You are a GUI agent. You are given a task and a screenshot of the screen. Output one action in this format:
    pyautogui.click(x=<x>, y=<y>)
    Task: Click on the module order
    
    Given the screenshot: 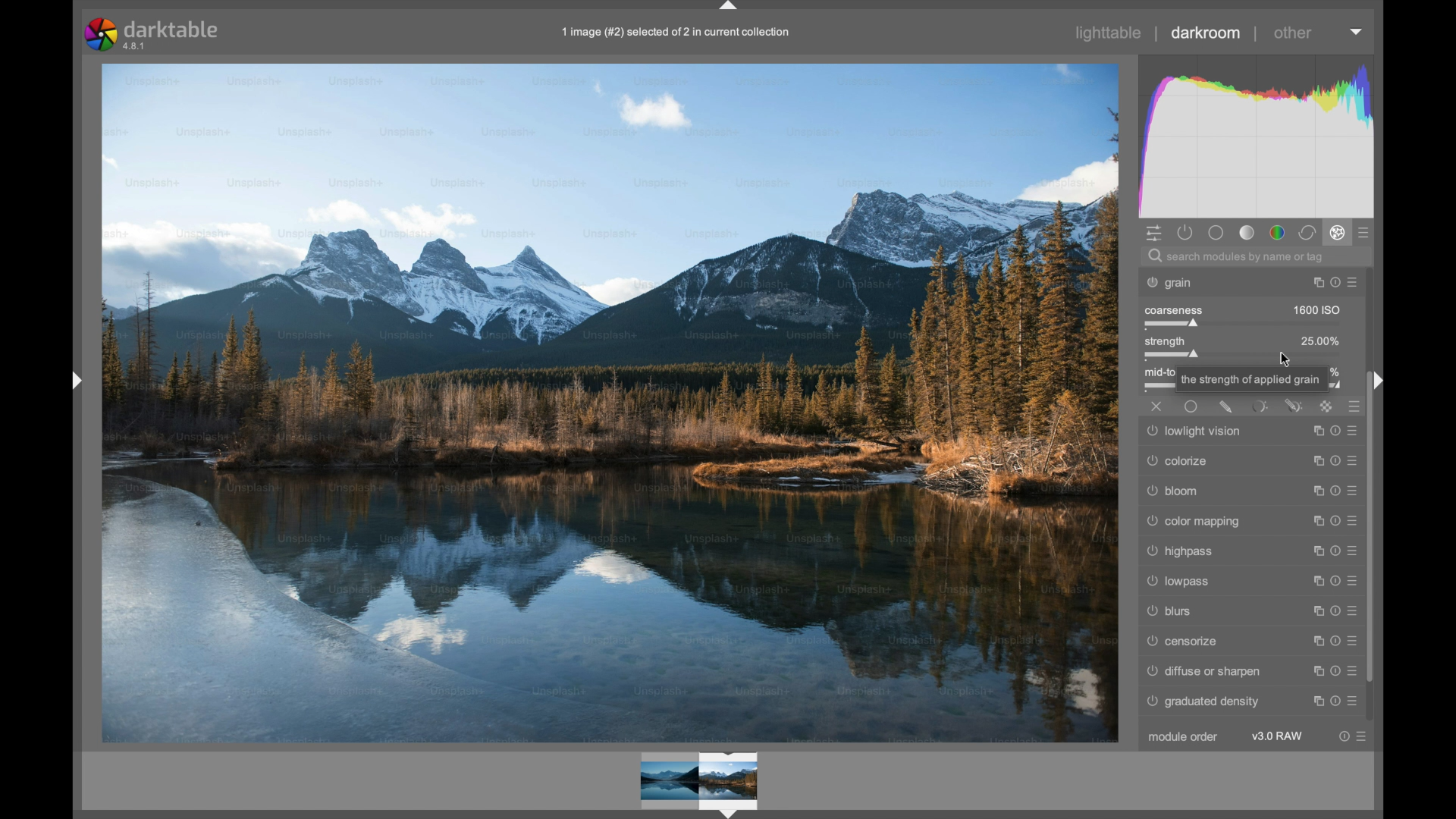 What is the action you would take?
    pyautogui.click(x=1182, y=738)
    